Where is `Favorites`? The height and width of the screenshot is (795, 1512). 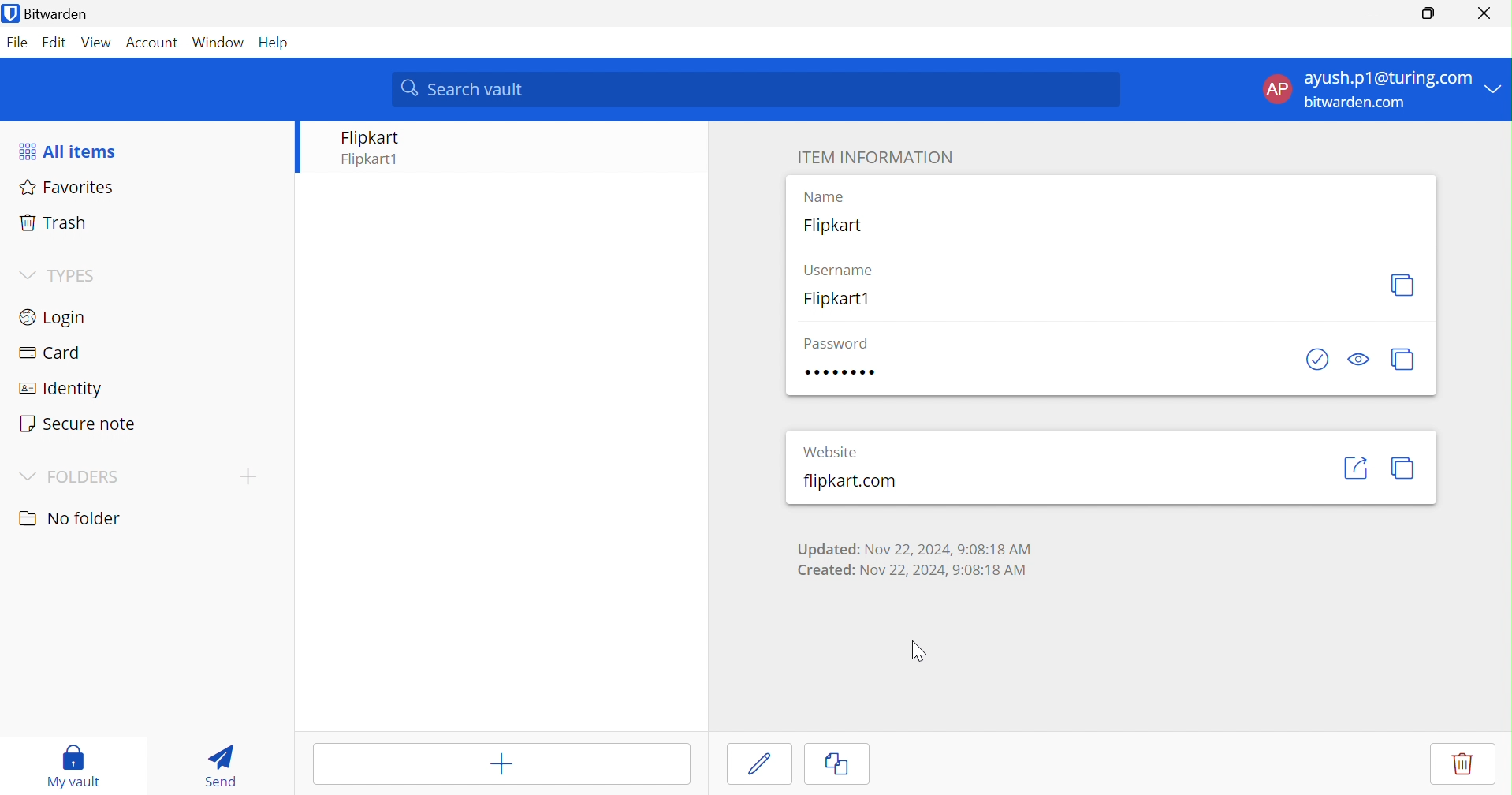 Favorites is located at coordinates (69, 188).